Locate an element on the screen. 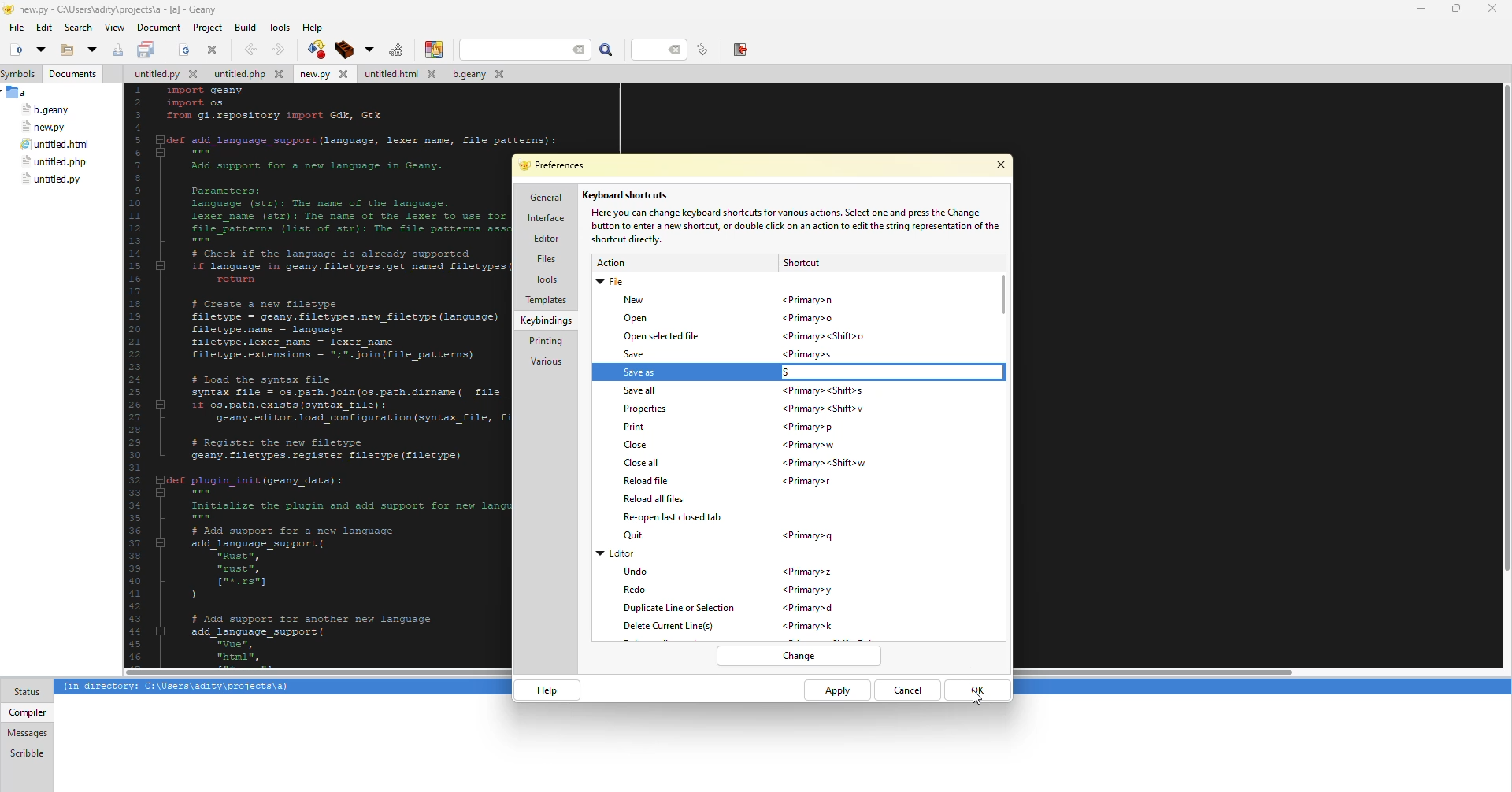 The width and height of the screenshot is (1512, 792). documents is located at coordinates (74, 74).